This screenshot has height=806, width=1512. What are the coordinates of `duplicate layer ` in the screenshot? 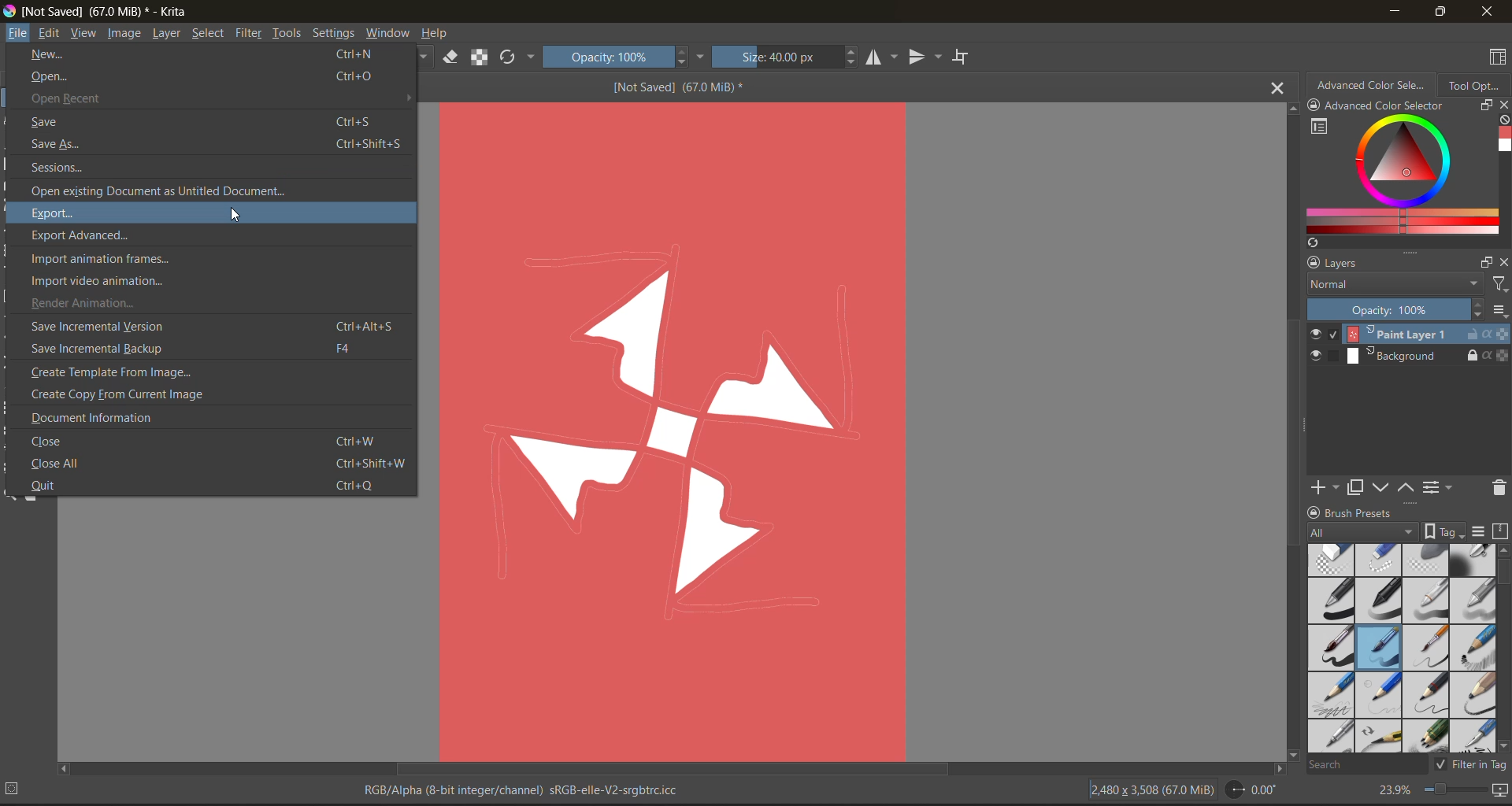 It's located at (1363, 490).